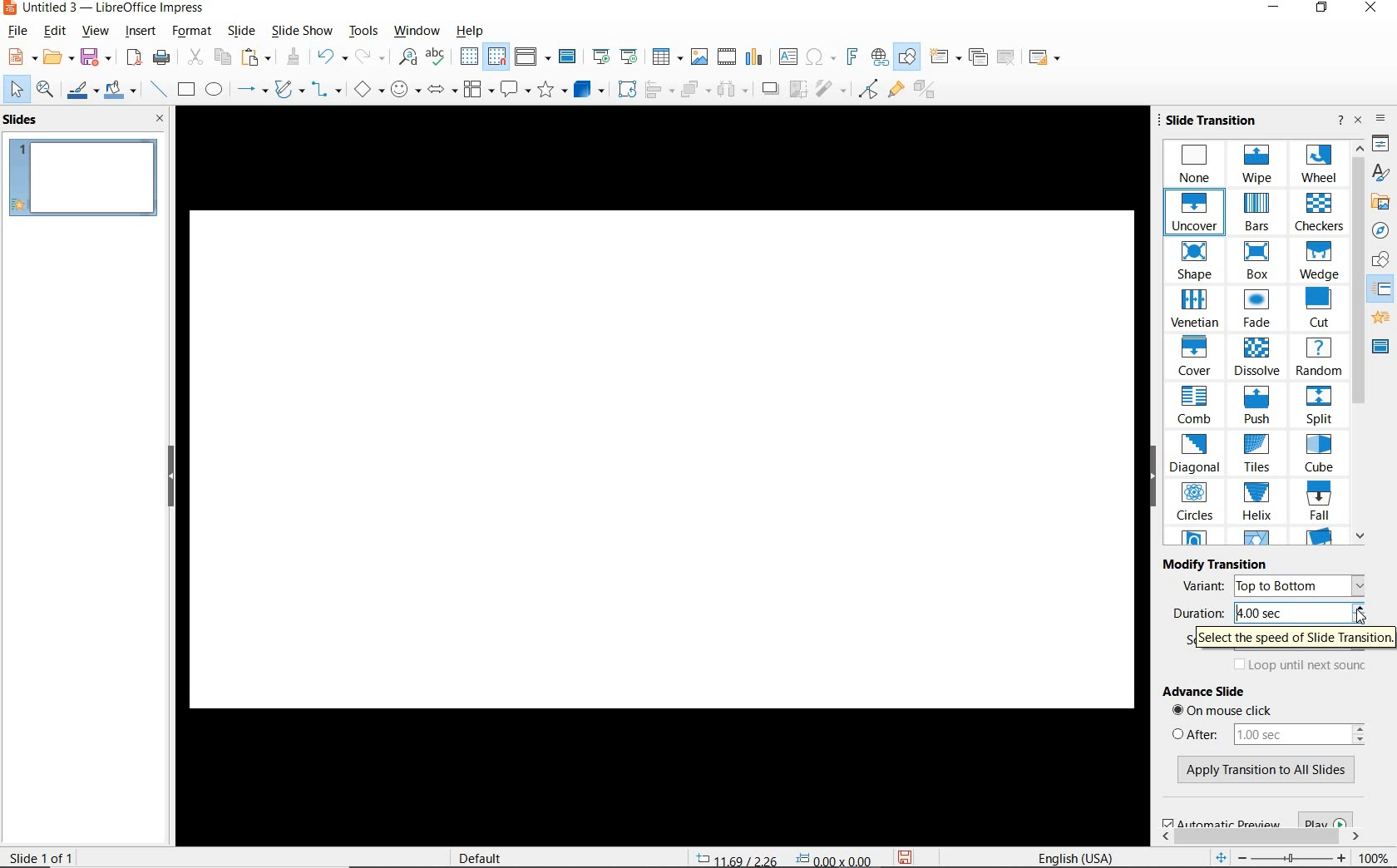 This screenshot has width=1397, height=868. Describe the element at coordinates (442, 89) in the screenshot. I see `BLOCK ARROWS` at that location.